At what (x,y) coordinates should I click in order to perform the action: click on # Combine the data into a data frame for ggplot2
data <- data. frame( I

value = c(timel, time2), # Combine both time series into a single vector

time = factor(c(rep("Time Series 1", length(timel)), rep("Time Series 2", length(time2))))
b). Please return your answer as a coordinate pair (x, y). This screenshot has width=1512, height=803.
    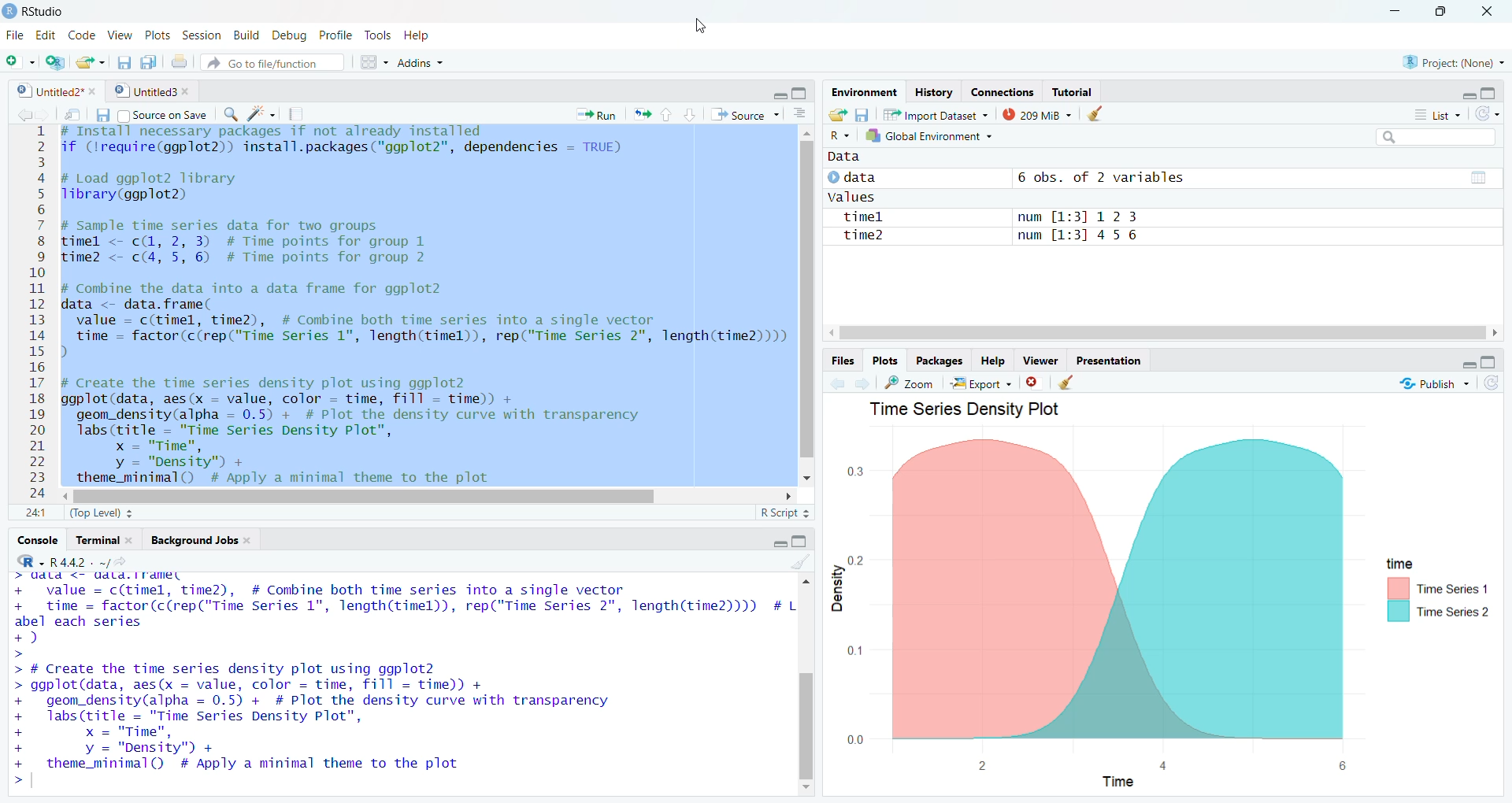
    Looking at the image, I should click on (424, 320).